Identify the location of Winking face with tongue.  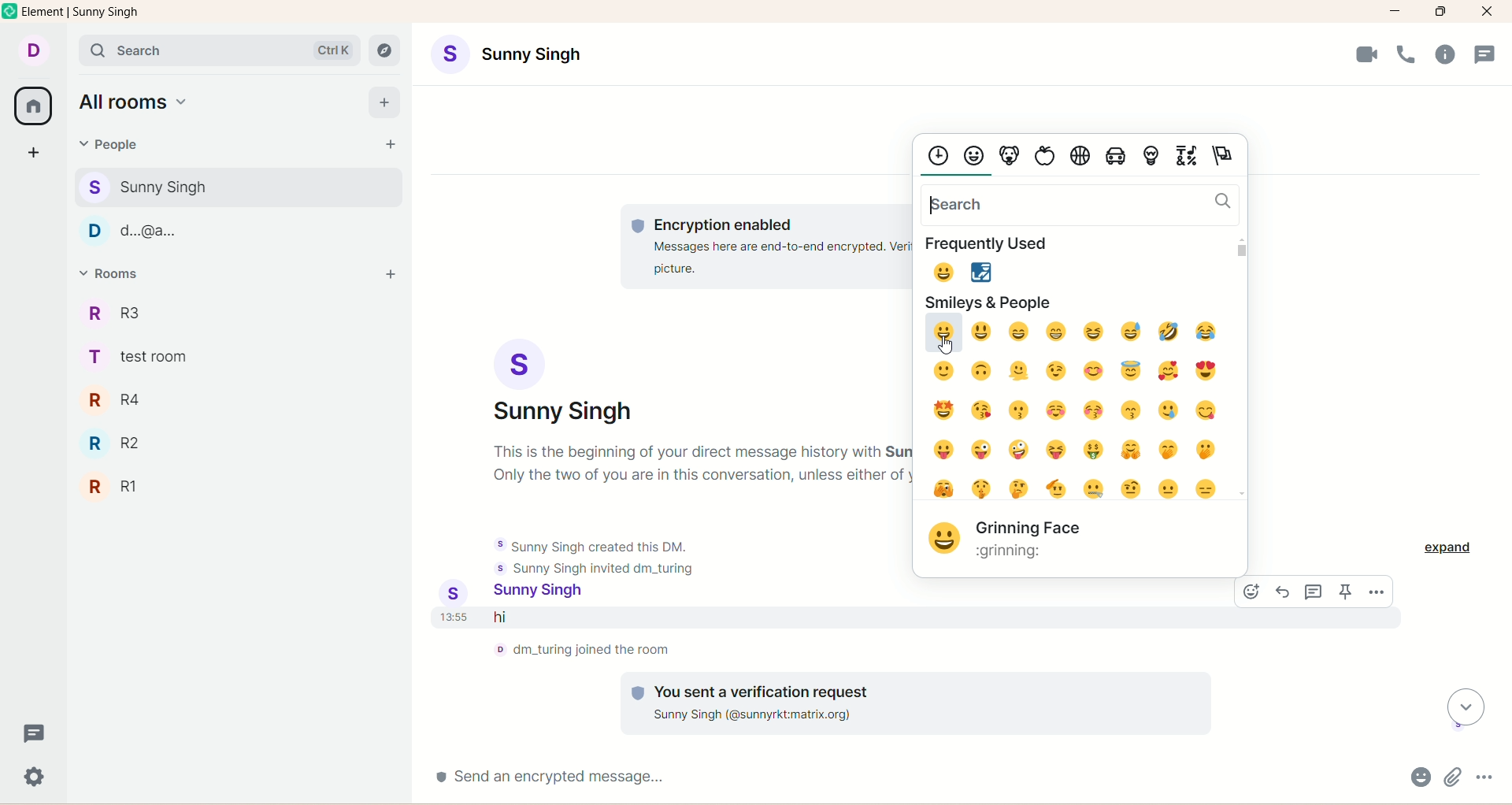
(981, 449).